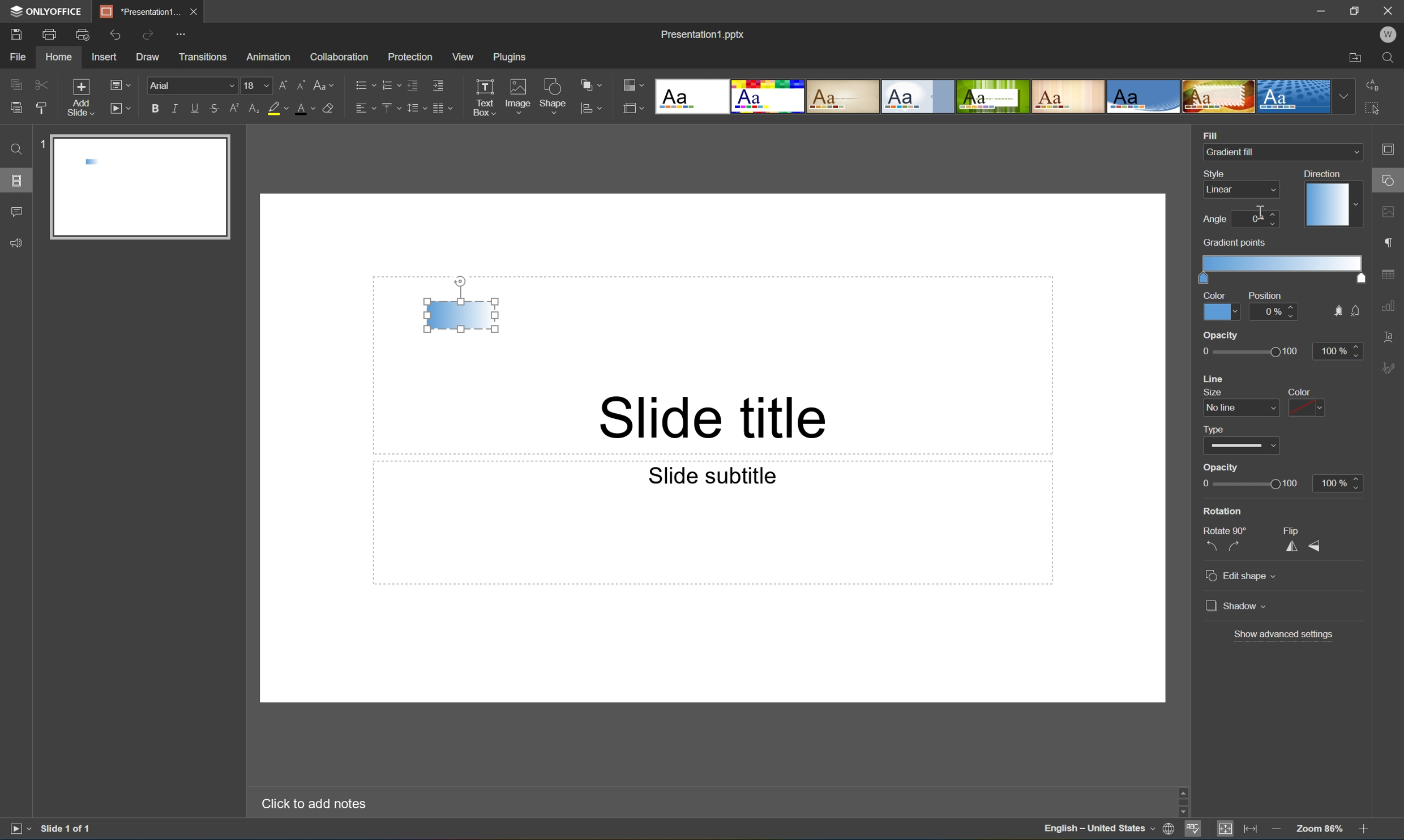 The height and width of the screenshot is (840, 1404). What do you see at coordinates (1243, 577) in the screenshot?
I see `Edit shape` at bounding box center [1243, 577].